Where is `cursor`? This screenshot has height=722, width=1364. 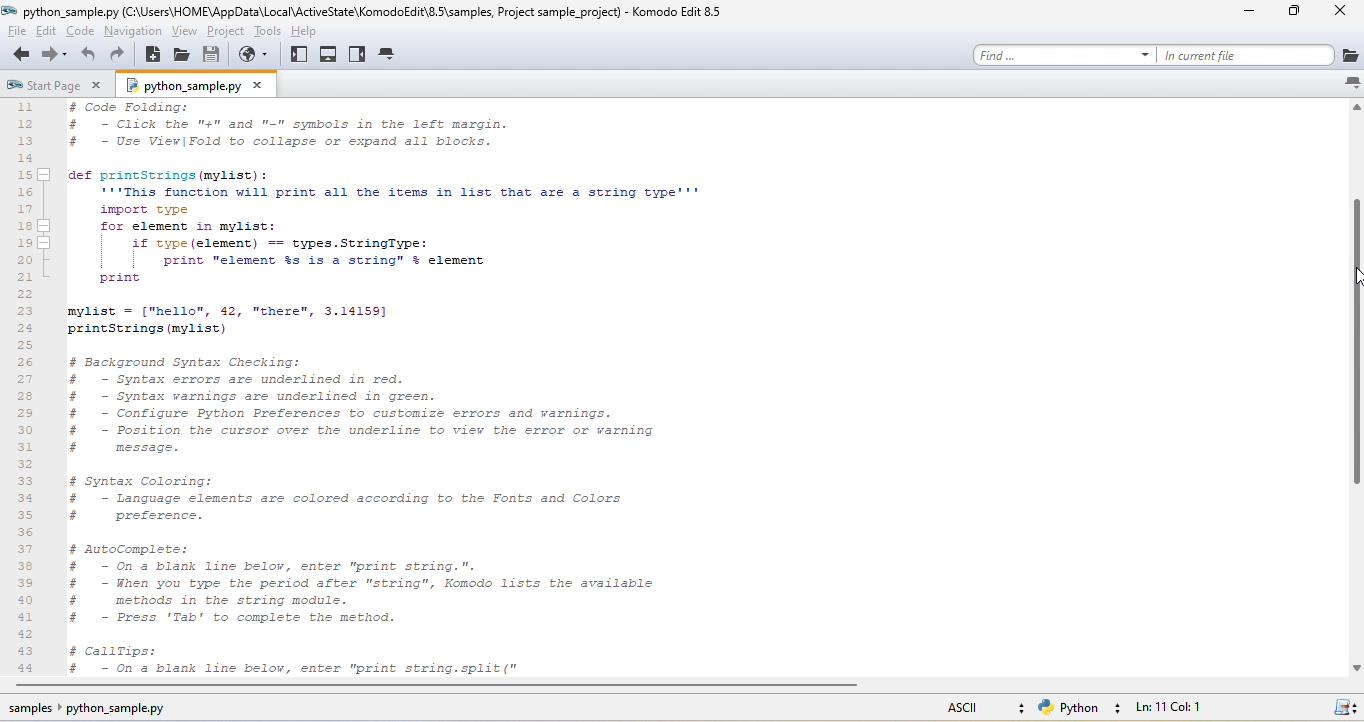 cursor is located at coordinates (1355, 278).